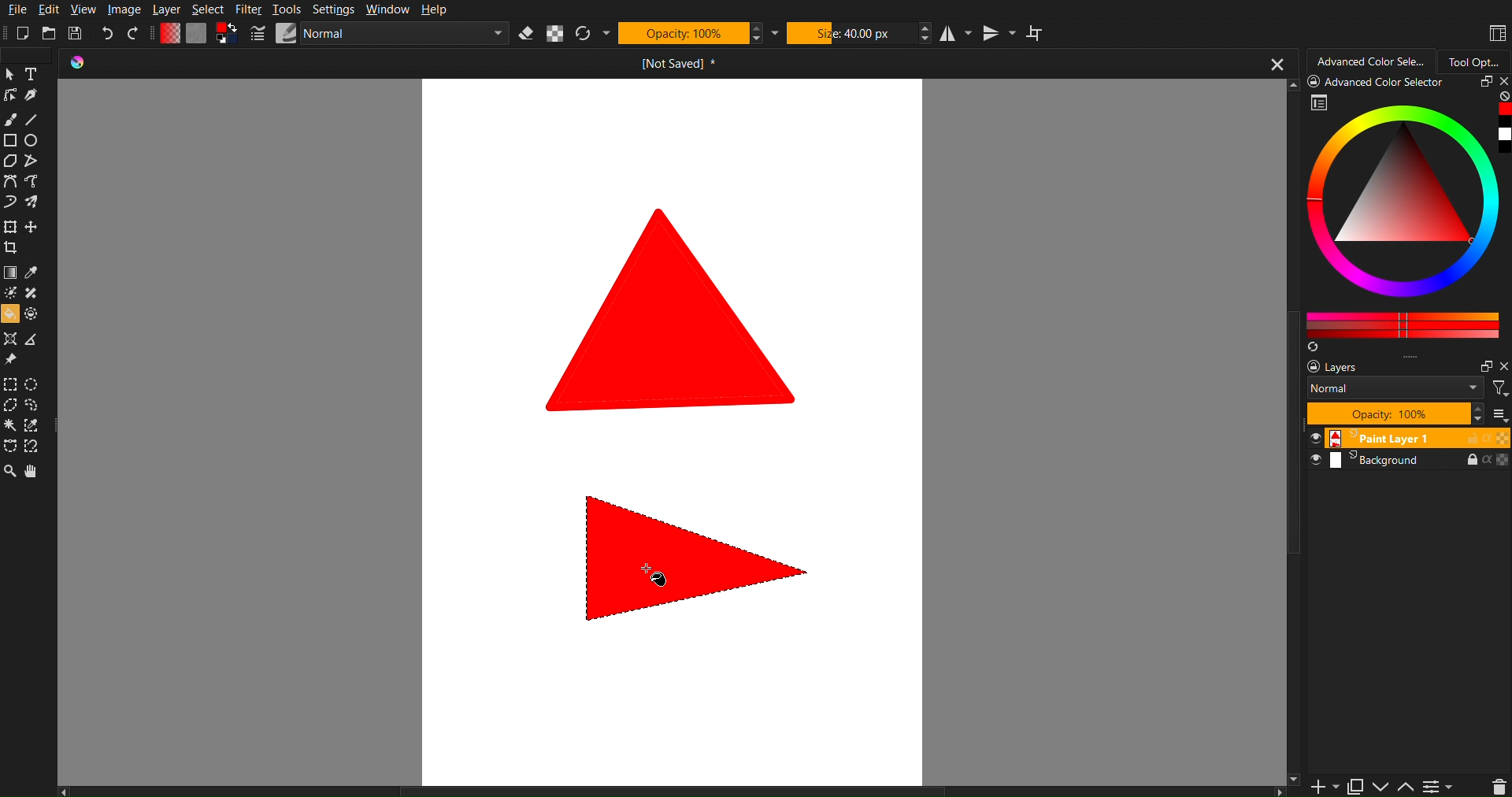  Describe the element at coordinates (198, 35) in the screenshot. I see `Color Settings` at that location.